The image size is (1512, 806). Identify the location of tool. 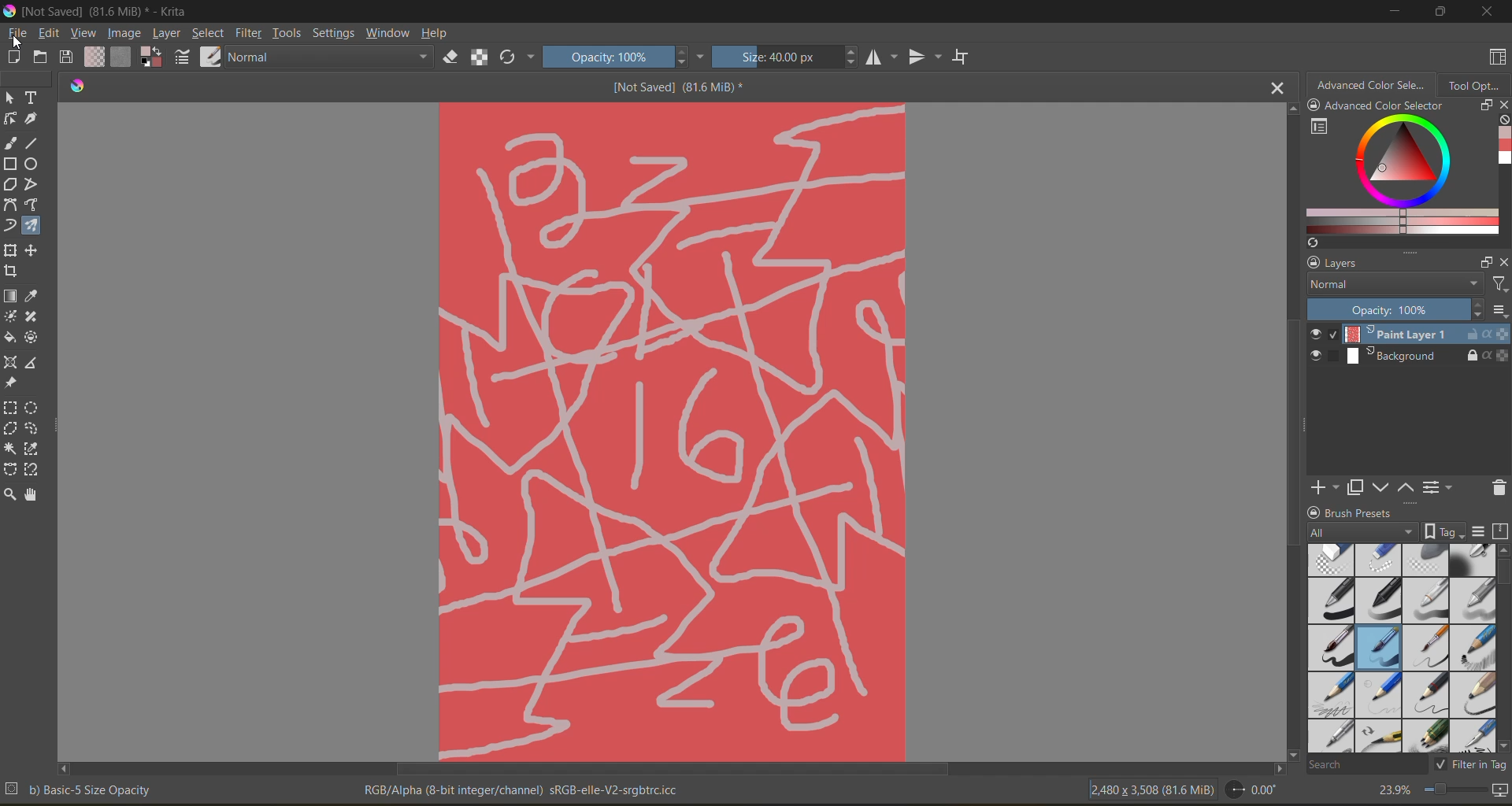
(9, 164).